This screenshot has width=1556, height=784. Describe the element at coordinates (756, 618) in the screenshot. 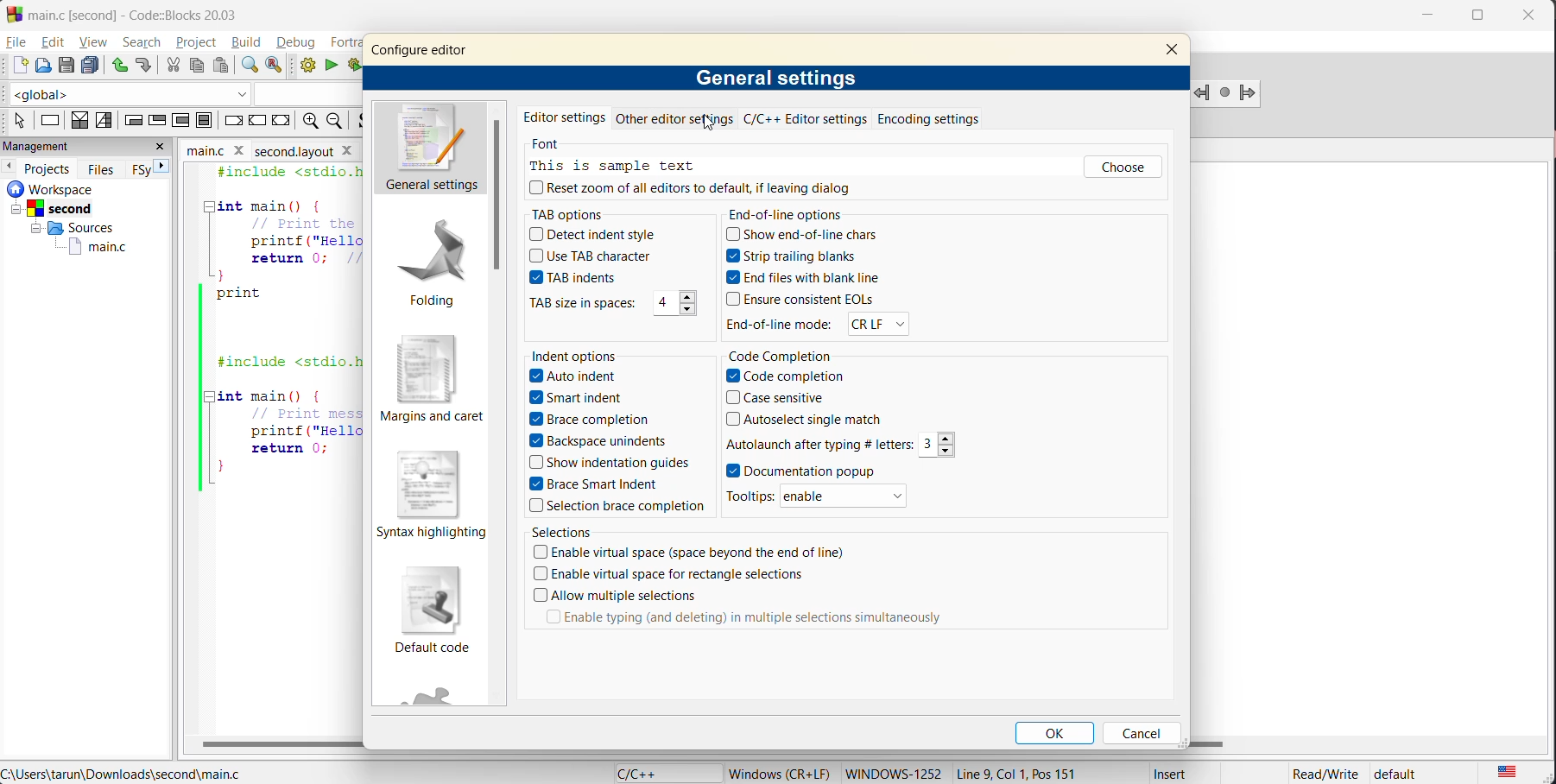

I see `Enable typing (and deleting) in multiple selections simultaneously` at that location.